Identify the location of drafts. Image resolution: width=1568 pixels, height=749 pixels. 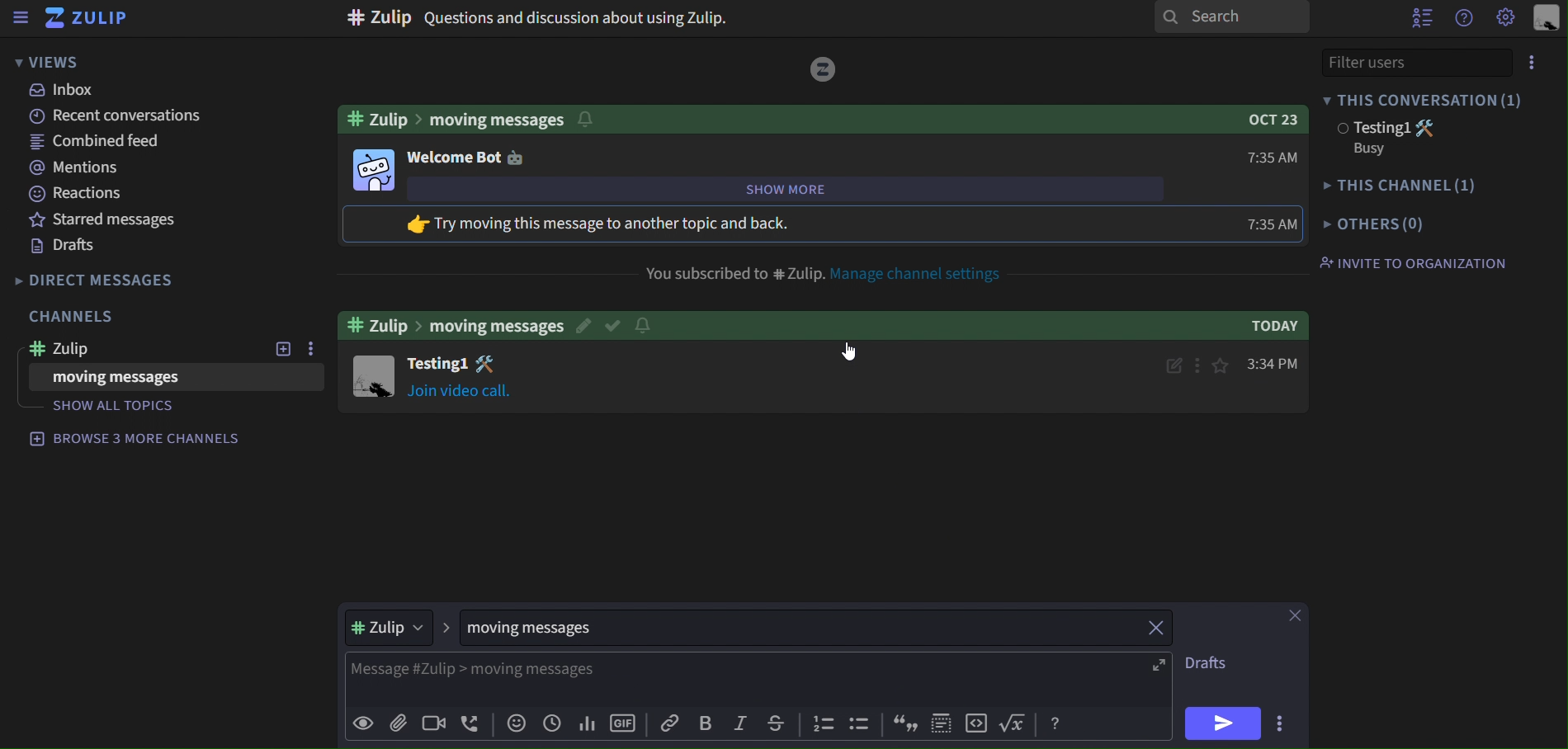
(1216, 662).